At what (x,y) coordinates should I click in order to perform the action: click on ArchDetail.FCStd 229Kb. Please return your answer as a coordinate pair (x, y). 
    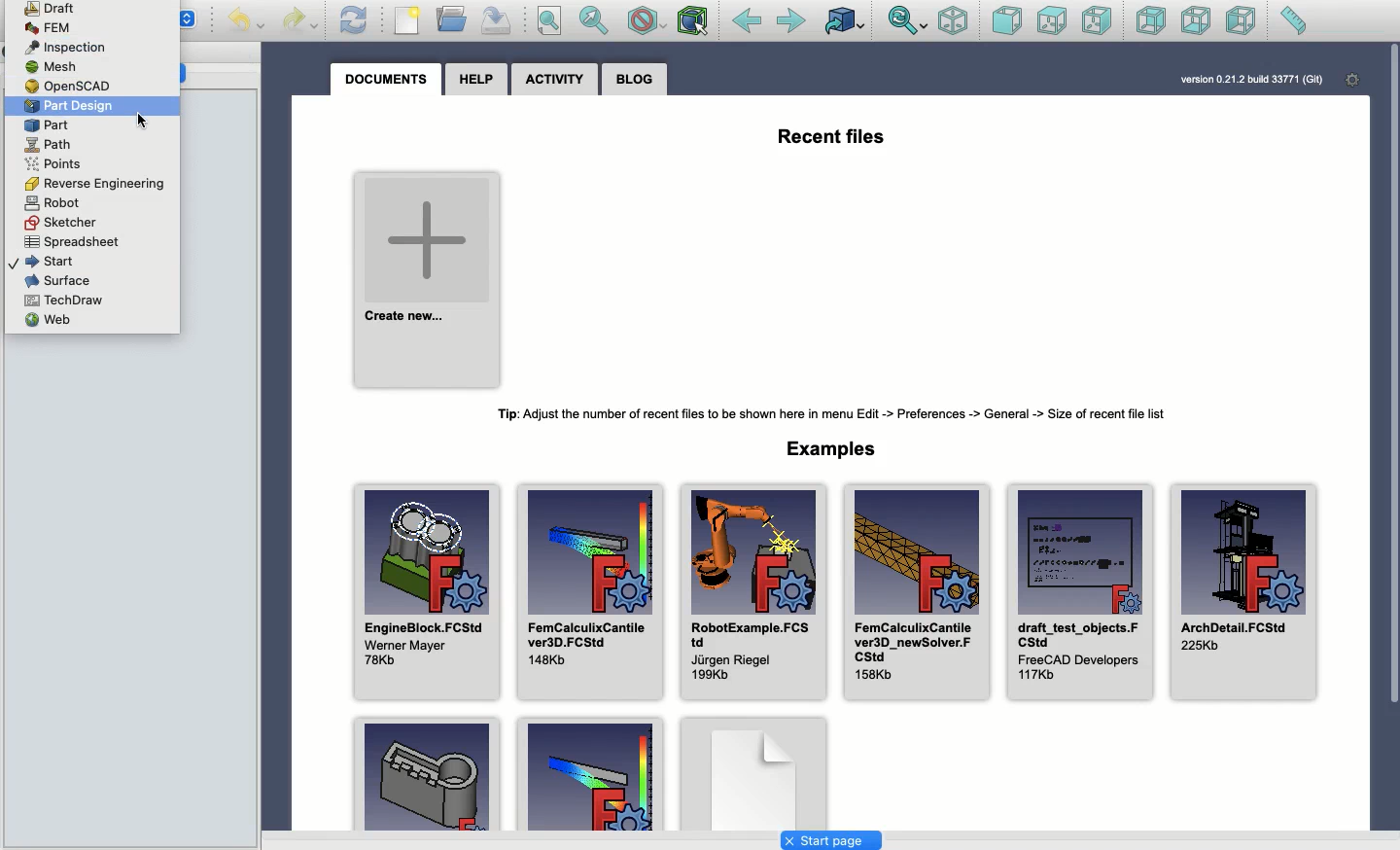
    Looking at the image, I should click on (1244, 591).